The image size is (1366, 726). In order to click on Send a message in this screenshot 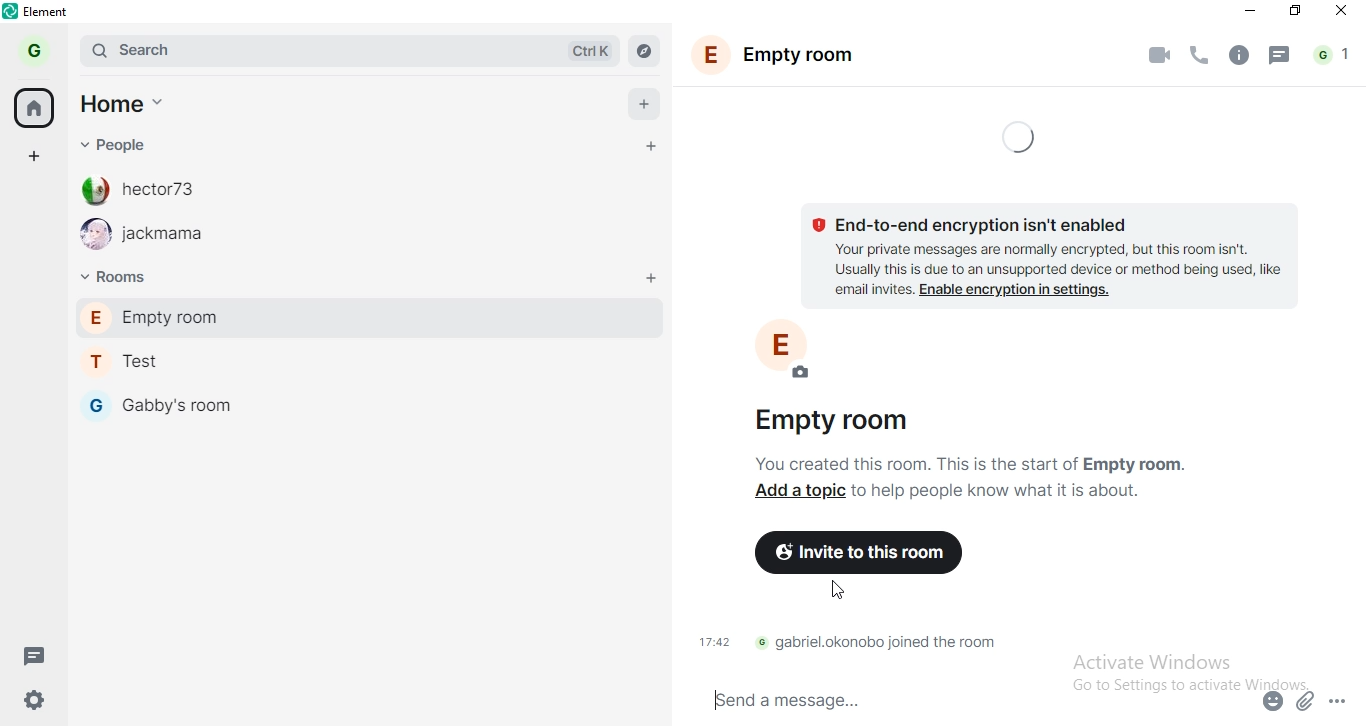, I will do `click(789, 700)`.